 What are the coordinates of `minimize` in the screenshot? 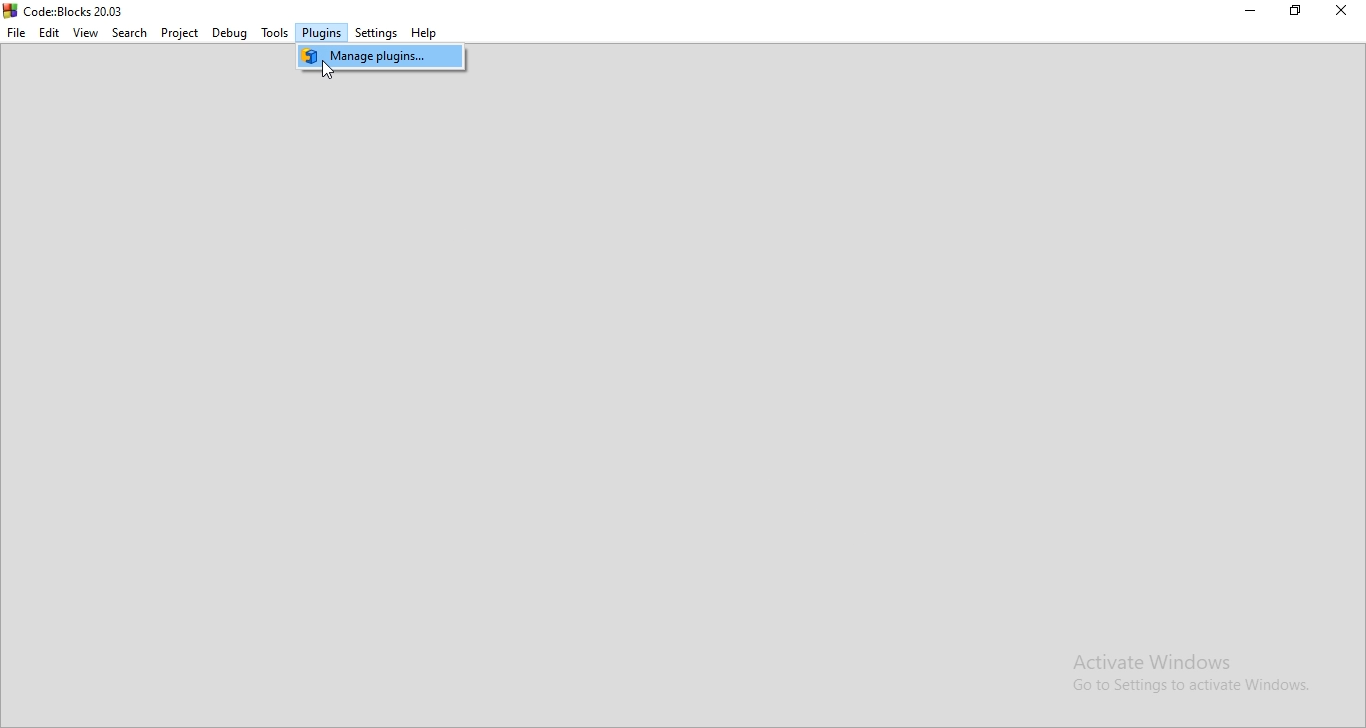 It's located at (1251, 9).